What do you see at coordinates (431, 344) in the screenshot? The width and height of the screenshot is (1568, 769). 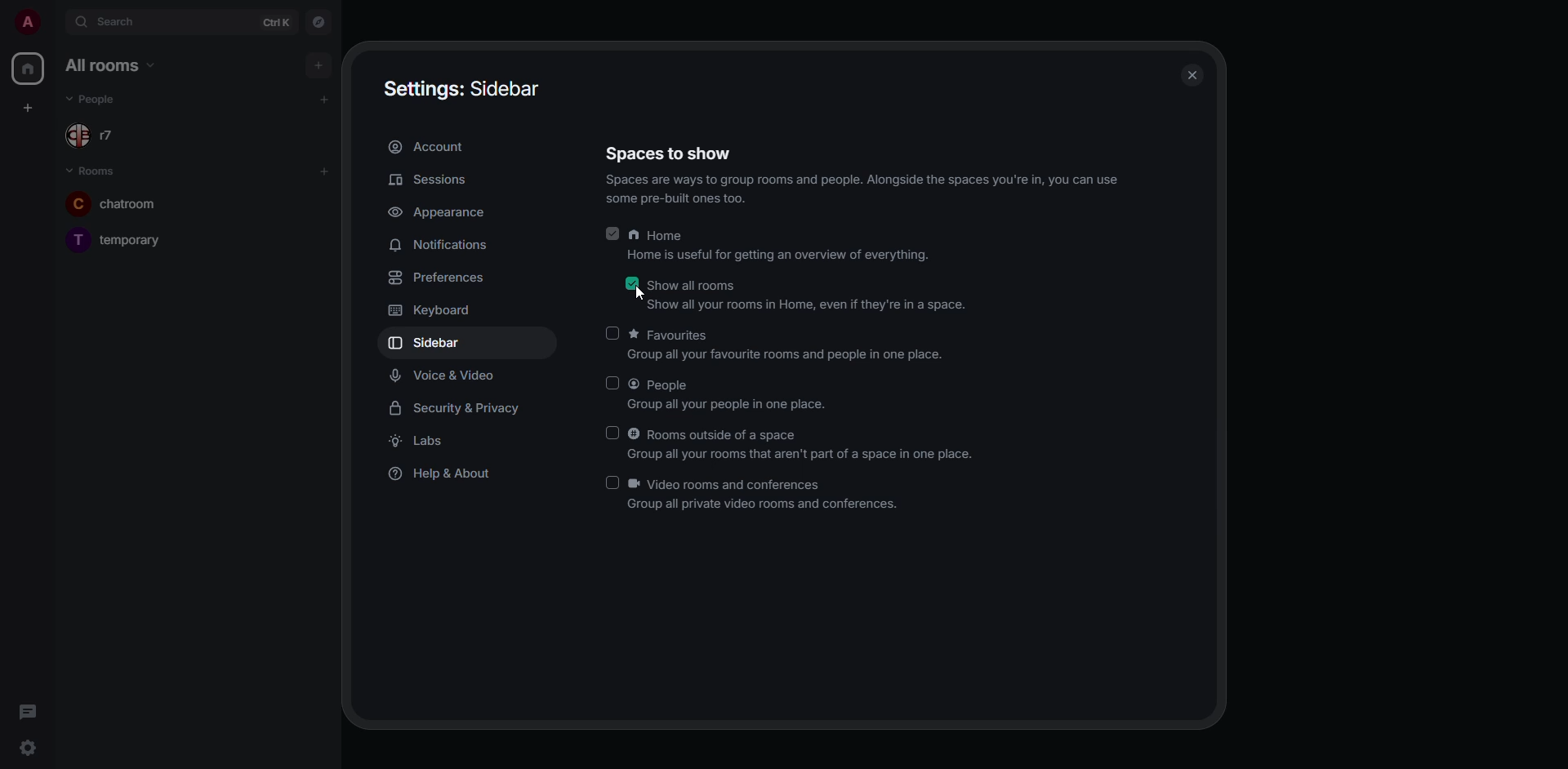 I see `sidebar` at bounding box center [431, 344].